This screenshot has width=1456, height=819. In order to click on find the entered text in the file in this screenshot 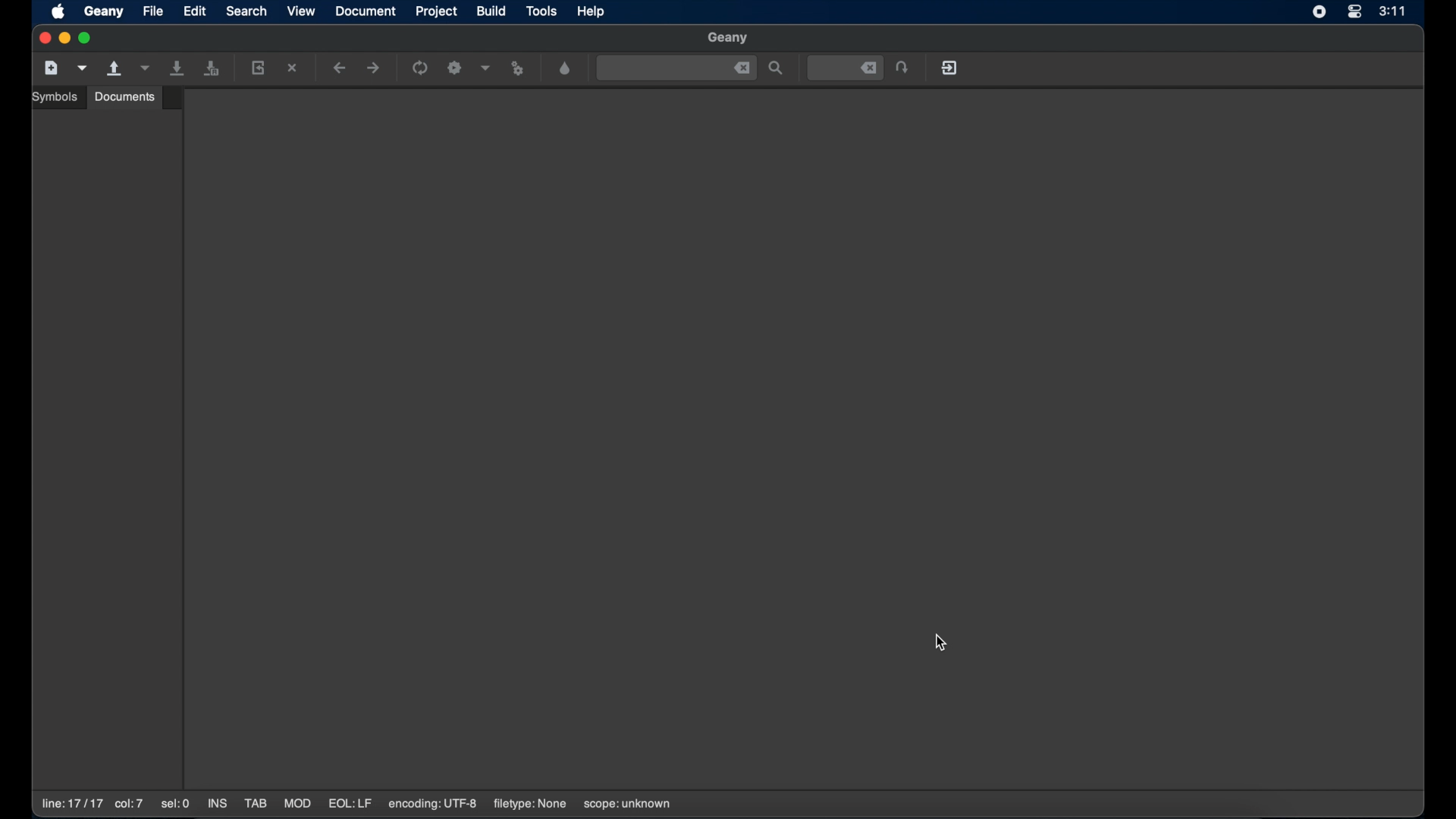, I will do `click(777, 69)`.